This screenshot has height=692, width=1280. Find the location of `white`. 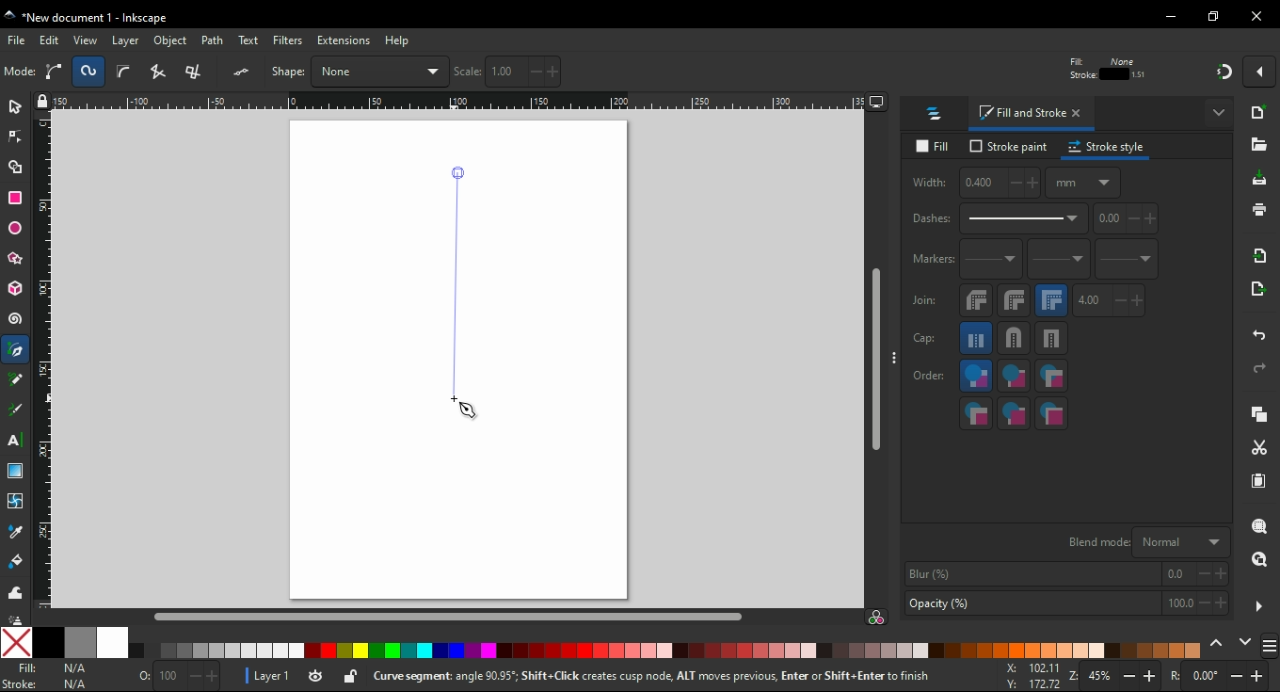

white is located at coordinates (113, 642).